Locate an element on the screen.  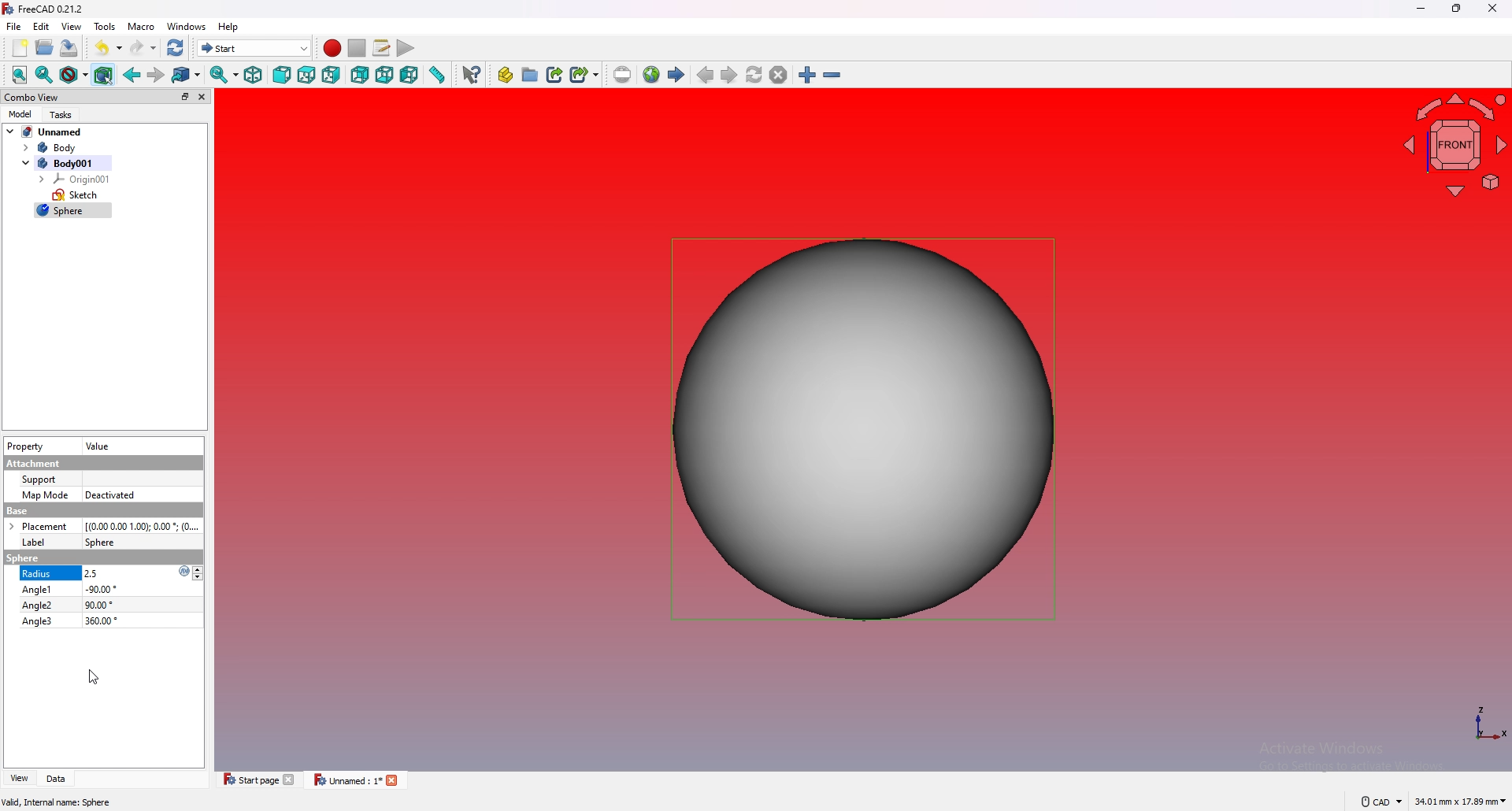
close is located at coordinates (202, 97).